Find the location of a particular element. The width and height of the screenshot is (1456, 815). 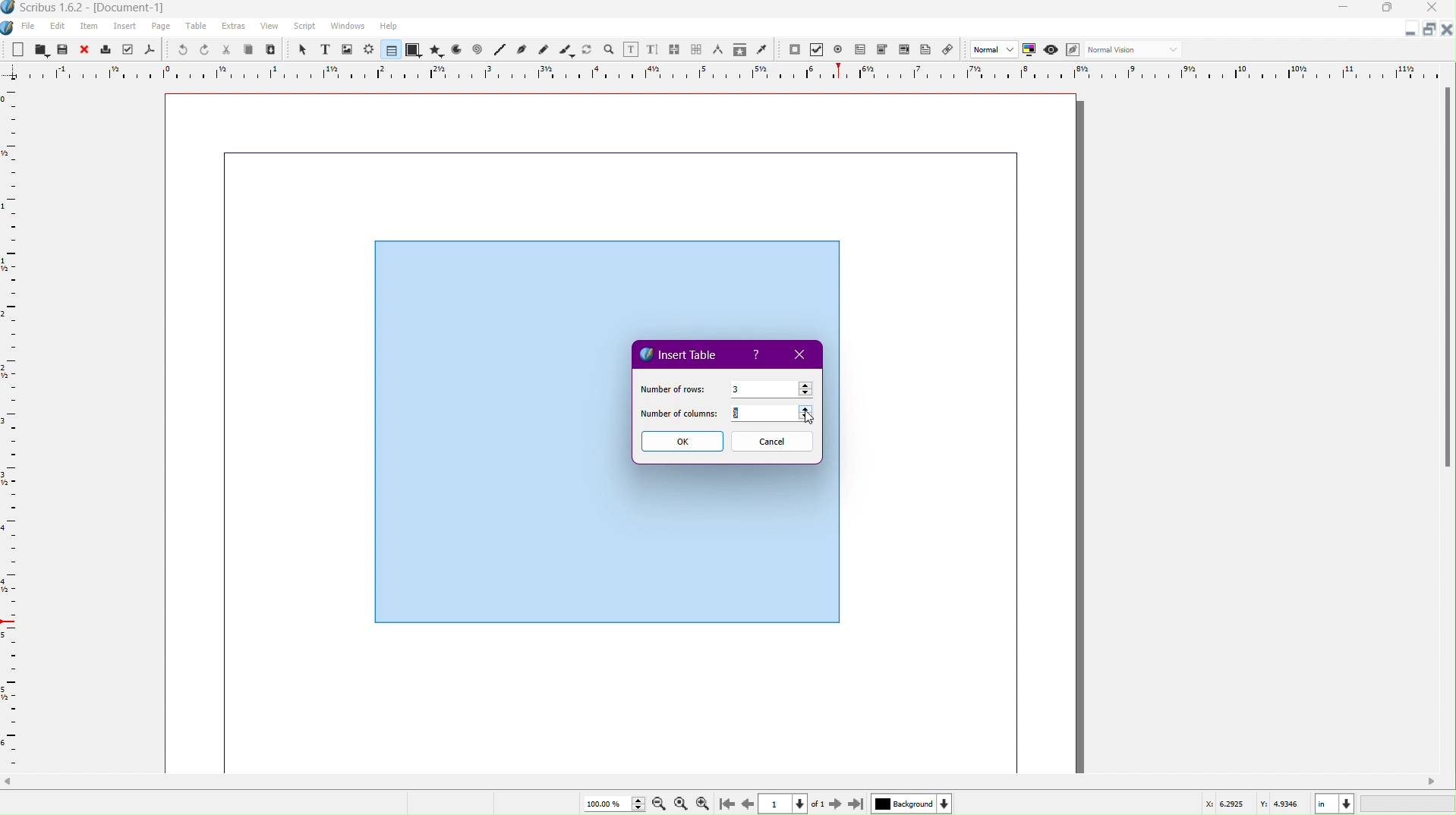

File is located at coordinates (27, 27).